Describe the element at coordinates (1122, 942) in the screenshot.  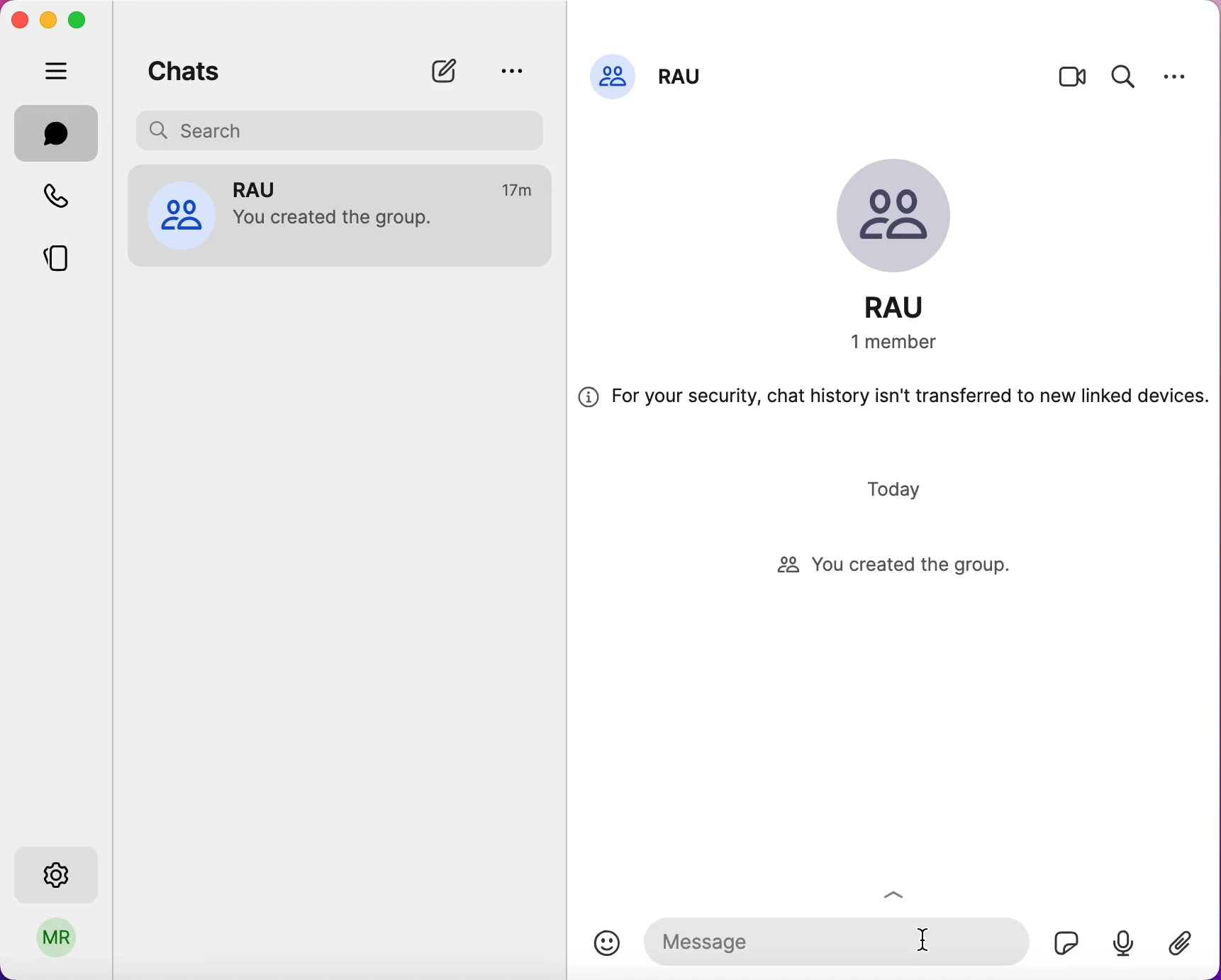
I see `record audio` at that location.